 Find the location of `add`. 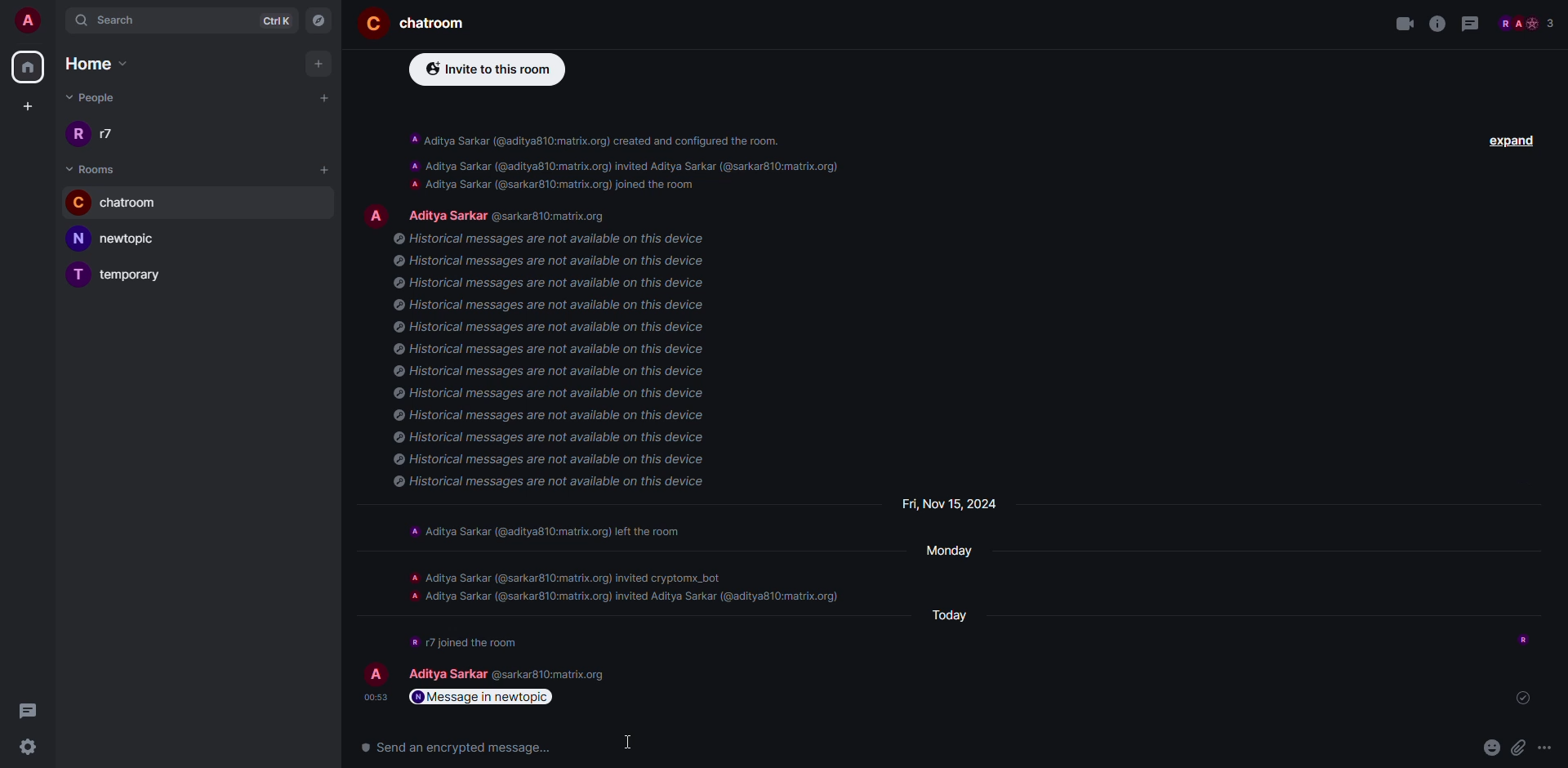

add is located at coordinates (320, 64).